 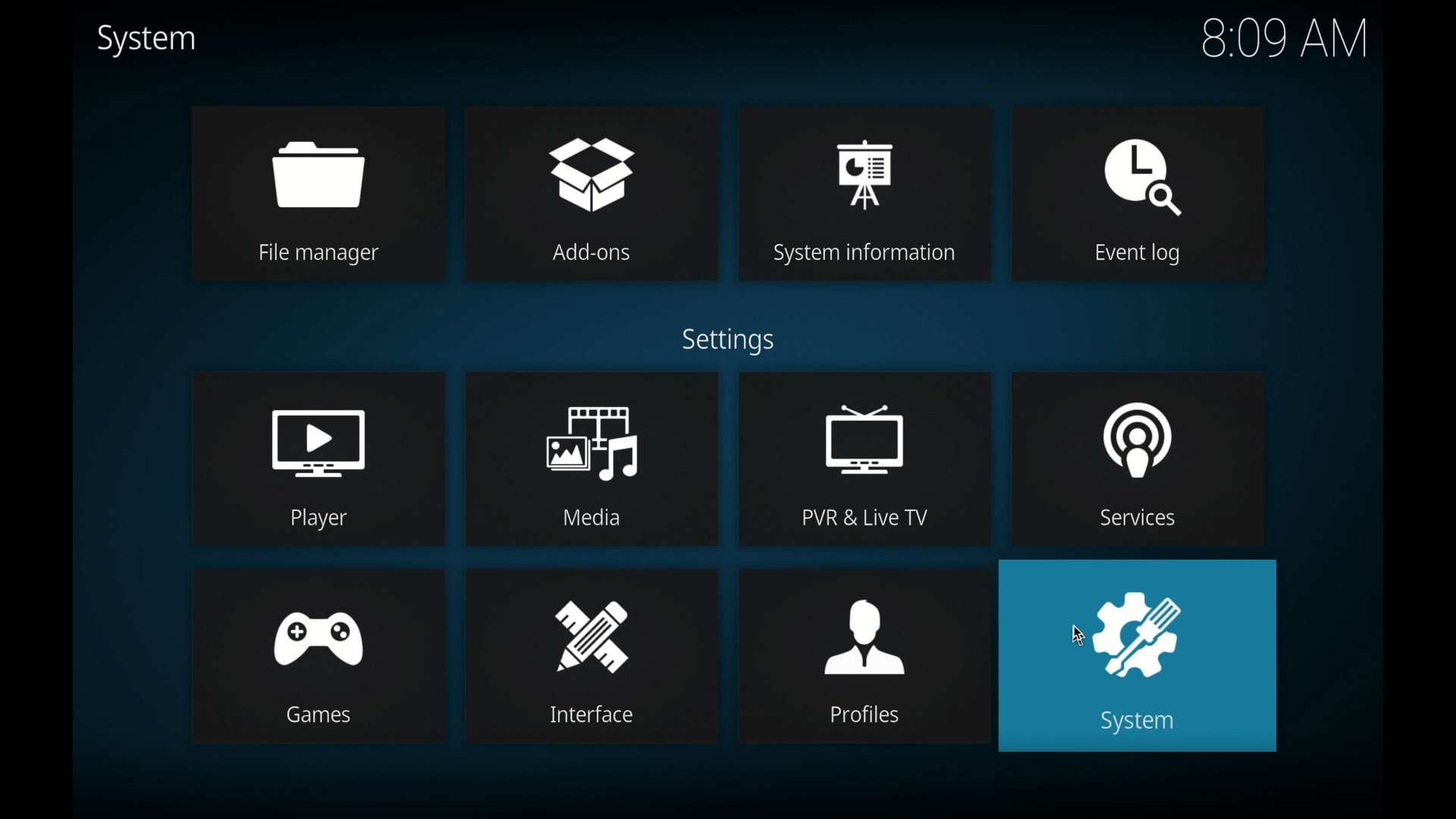 I want to click on services, so click(x=1139, y=457).